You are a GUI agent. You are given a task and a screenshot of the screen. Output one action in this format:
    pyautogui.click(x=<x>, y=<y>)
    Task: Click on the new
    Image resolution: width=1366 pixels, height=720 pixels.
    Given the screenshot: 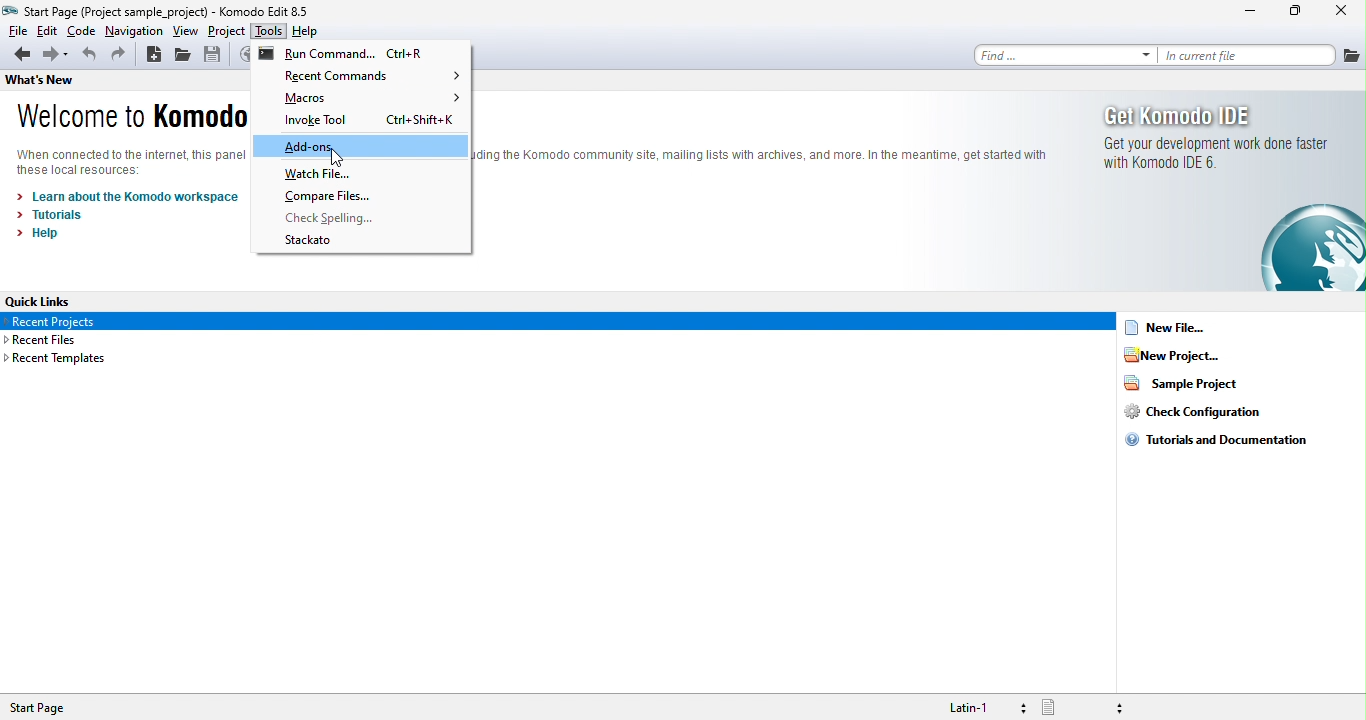 What is the action you would take?
    pyautogui.click(x=156, y=55)
    